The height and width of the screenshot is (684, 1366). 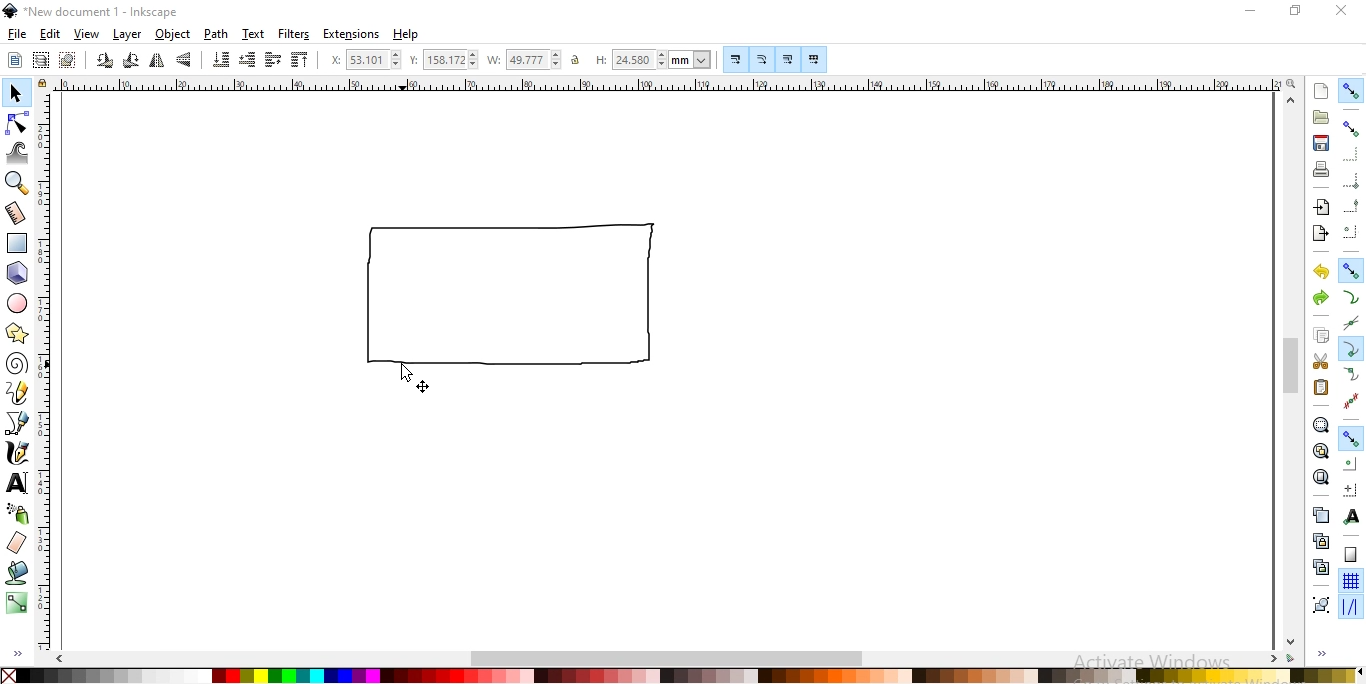 What do you see at coordinates (406, 371) in the screenshot?
I see `cursor` at bounding box center [406, 371].